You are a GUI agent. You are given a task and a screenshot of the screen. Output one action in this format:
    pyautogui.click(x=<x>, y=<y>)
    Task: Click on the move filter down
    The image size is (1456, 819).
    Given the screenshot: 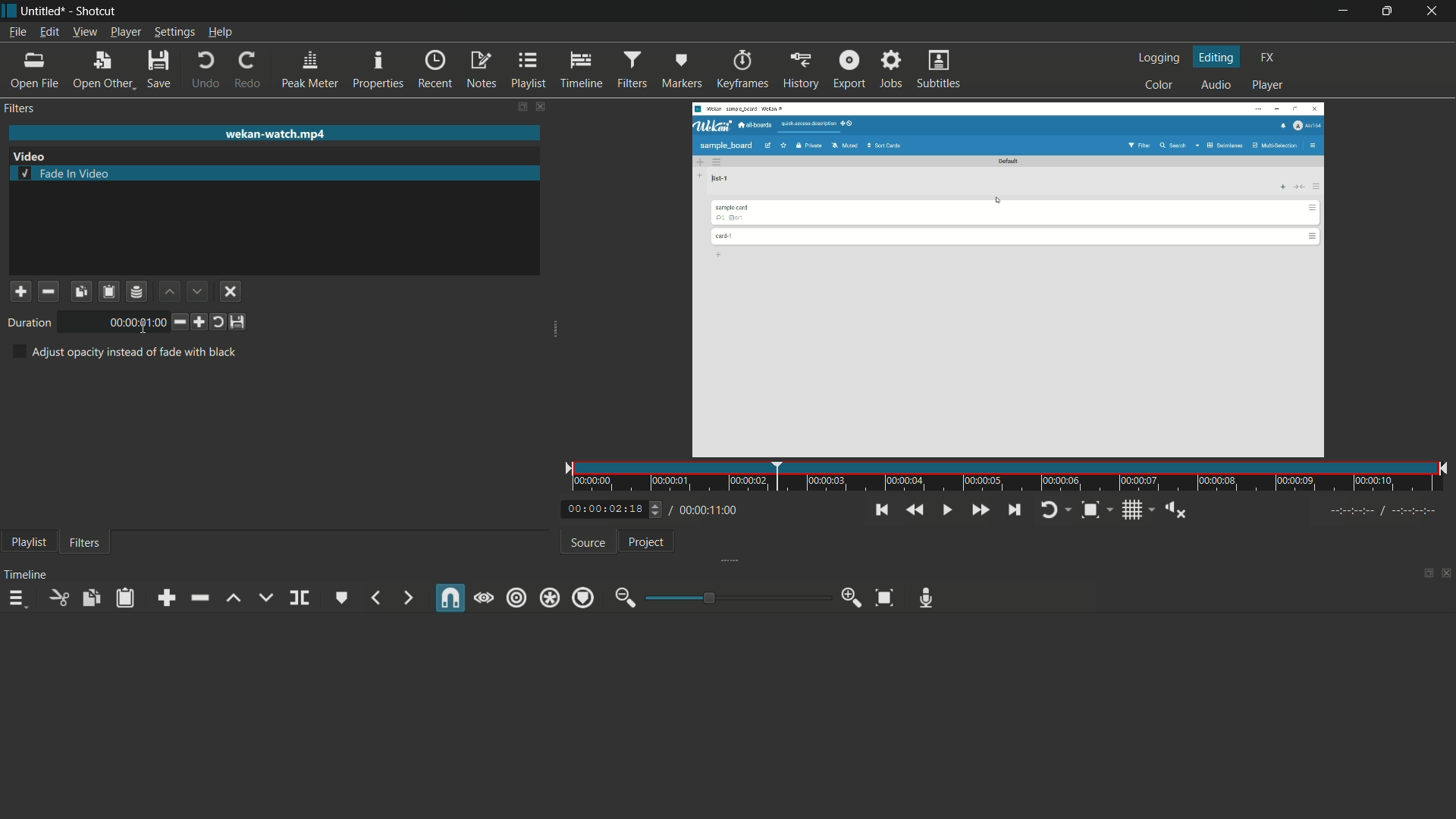 What is the action you would take?
    pyautogui.click(x=197, y=291)
    